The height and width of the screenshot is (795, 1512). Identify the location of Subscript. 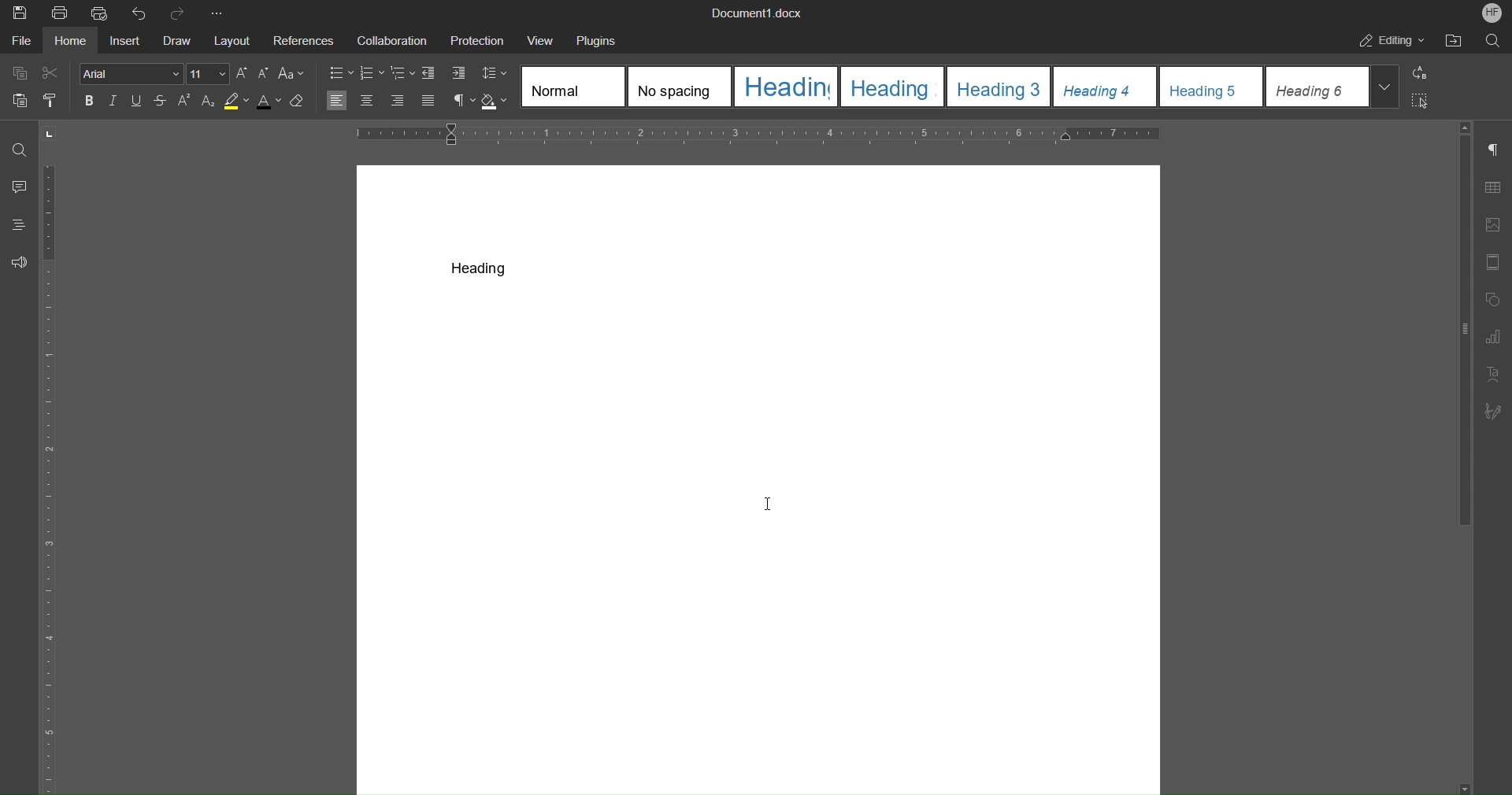
(210, 102).